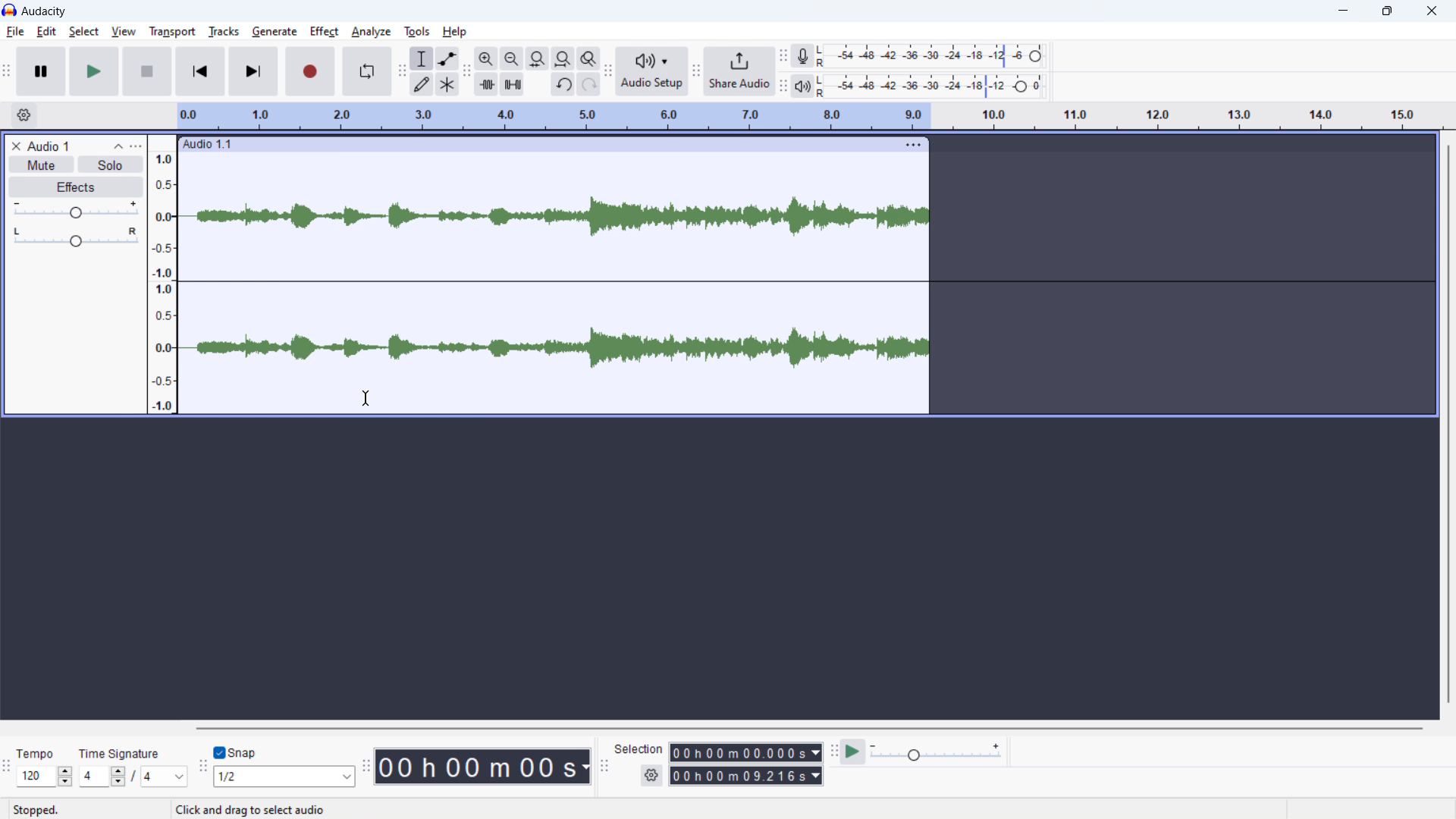 Image resolution: width=1456 pixels, height=819 pixels. I want to click on view, so click(123, 31).